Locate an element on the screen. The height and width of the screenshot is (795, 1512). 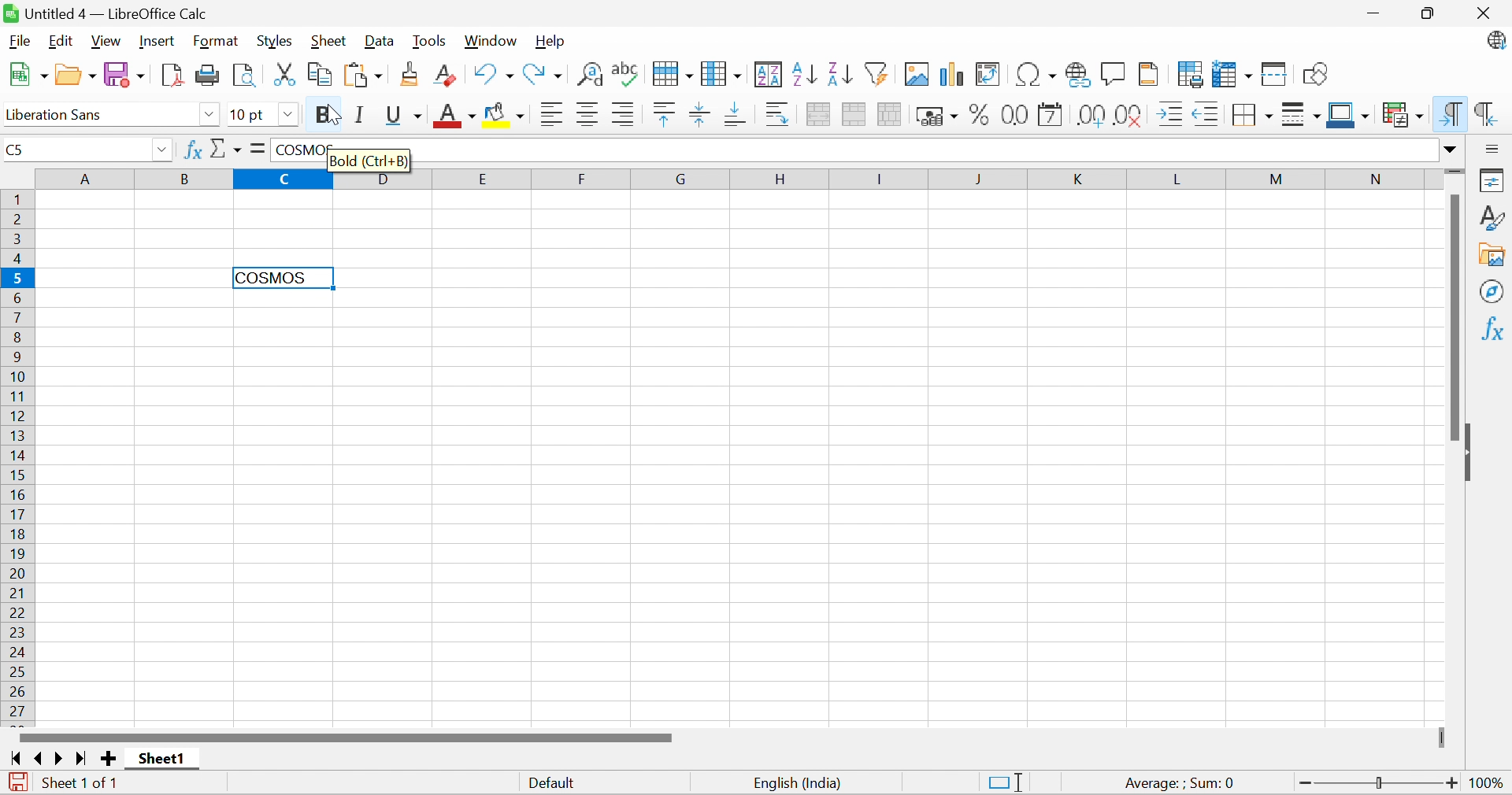
Format as Percent is located at coordinates (977, 115).